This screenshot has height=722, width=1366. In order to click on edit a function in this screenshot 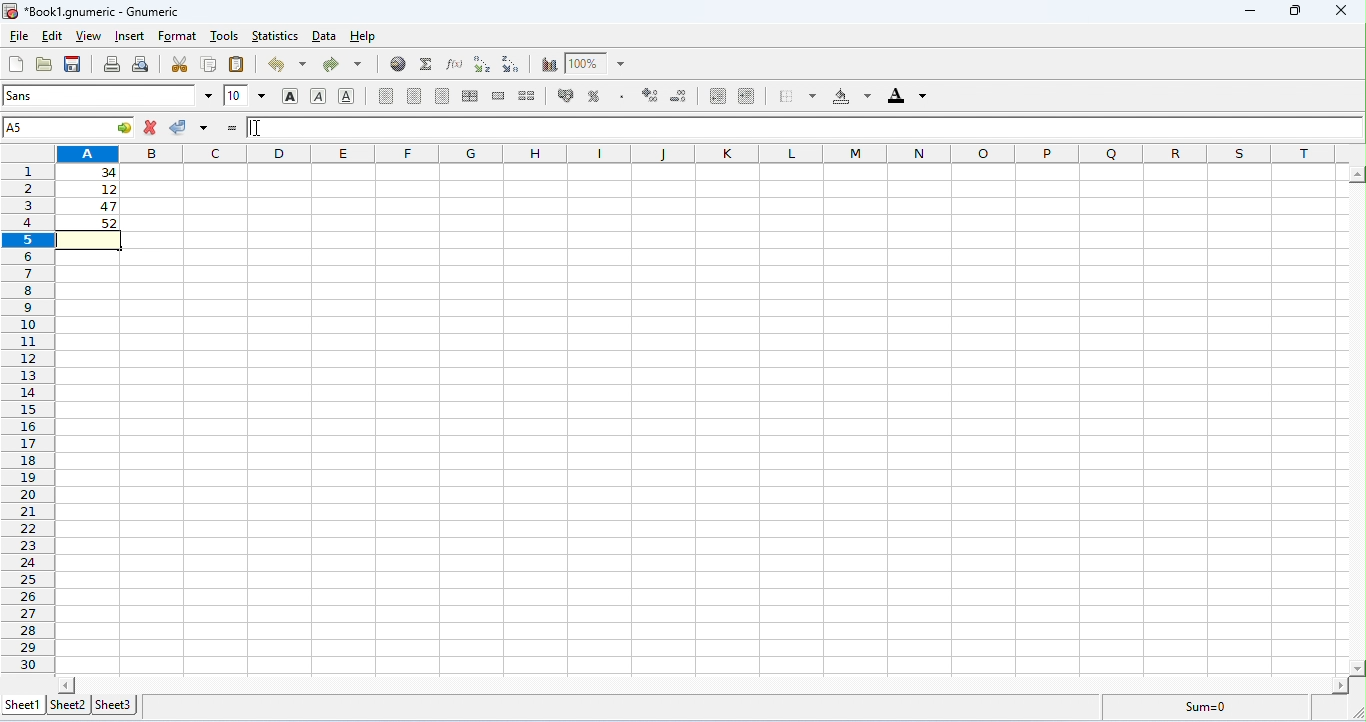, I will do `click(453, 64)`.